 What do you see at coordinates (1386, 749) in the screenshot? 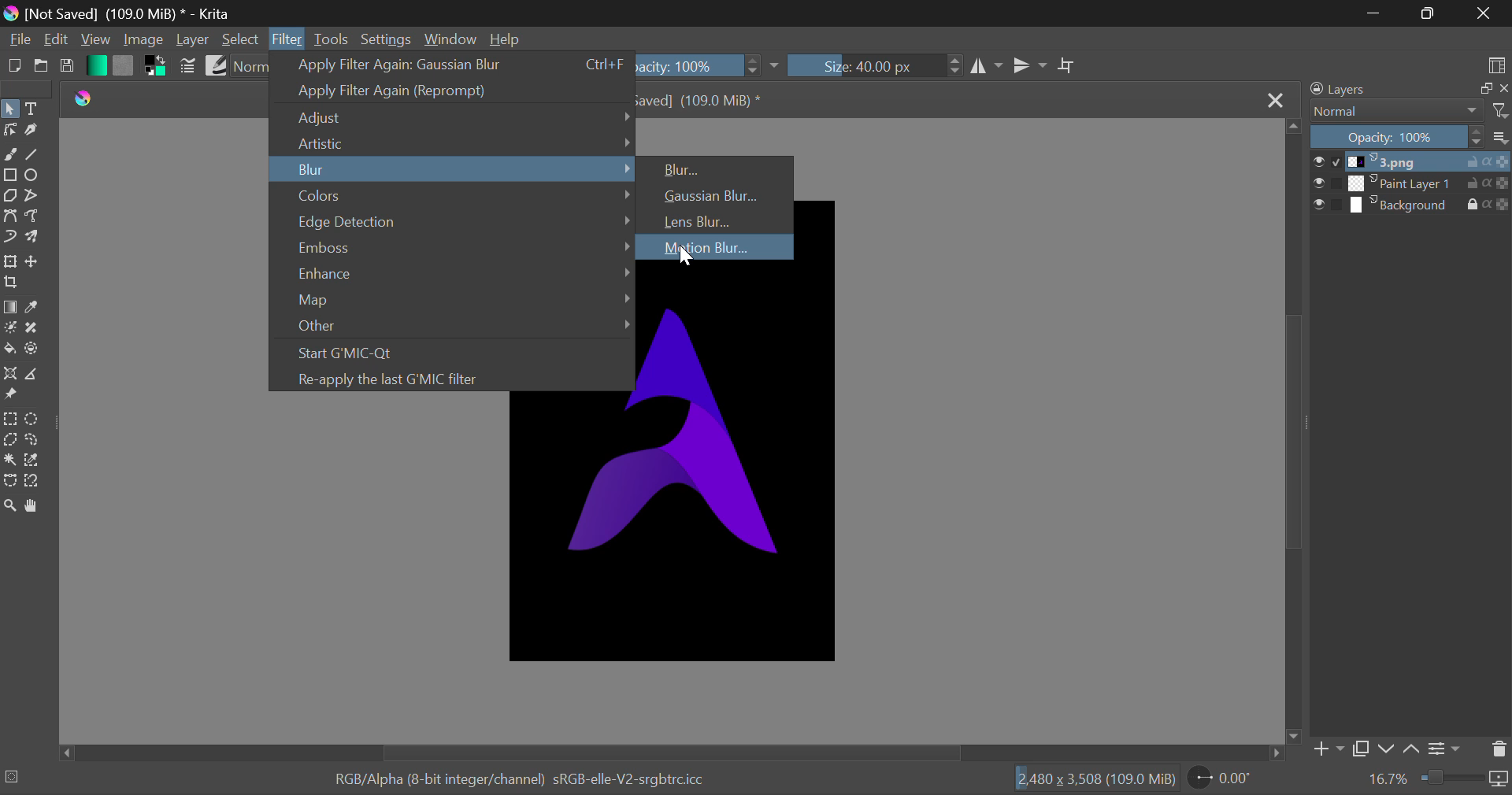
I see `Move Layer Down` at bounding box center [1386, 749].